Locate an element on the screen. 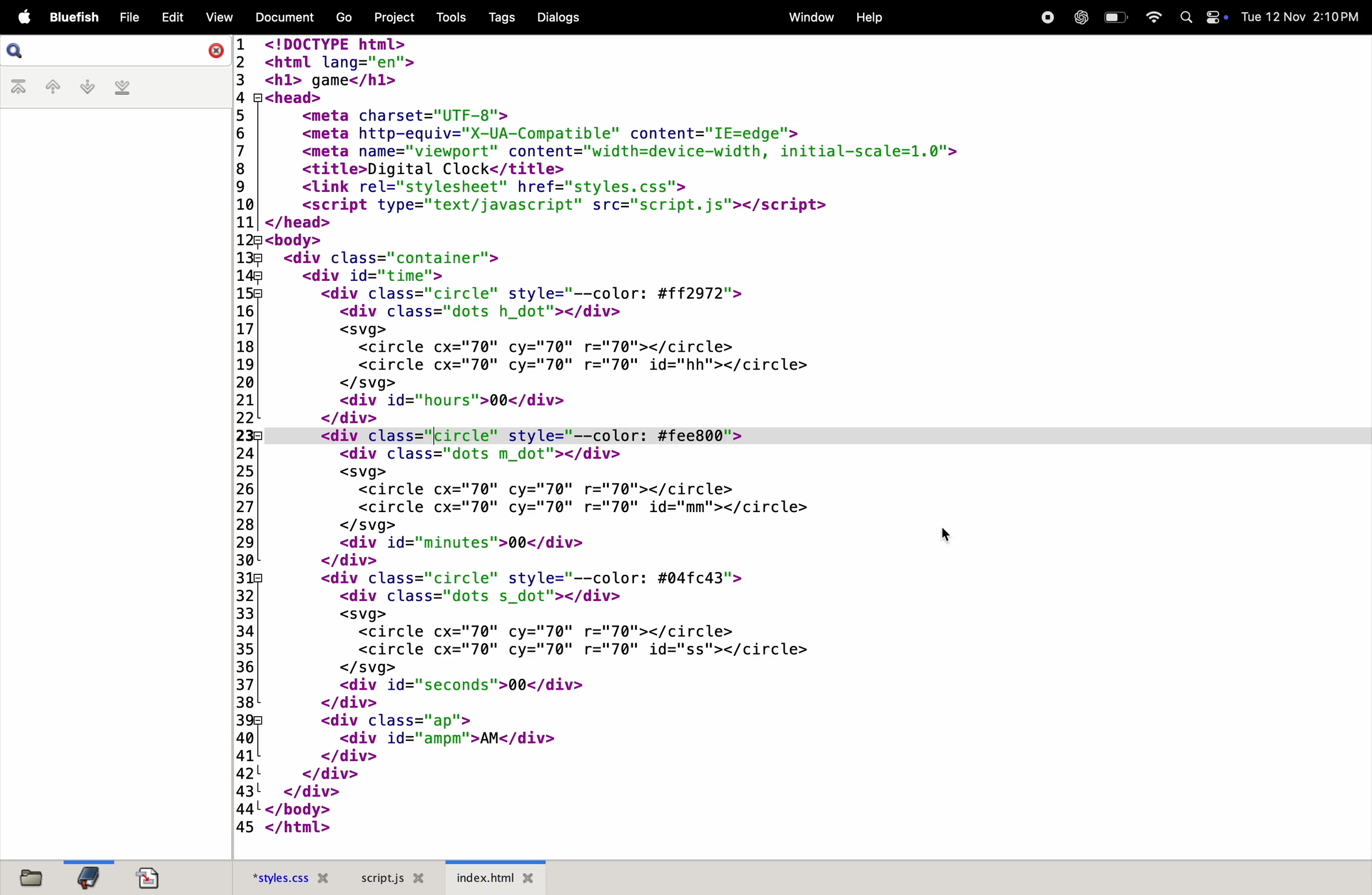  close is located at coordinates (213, 49).